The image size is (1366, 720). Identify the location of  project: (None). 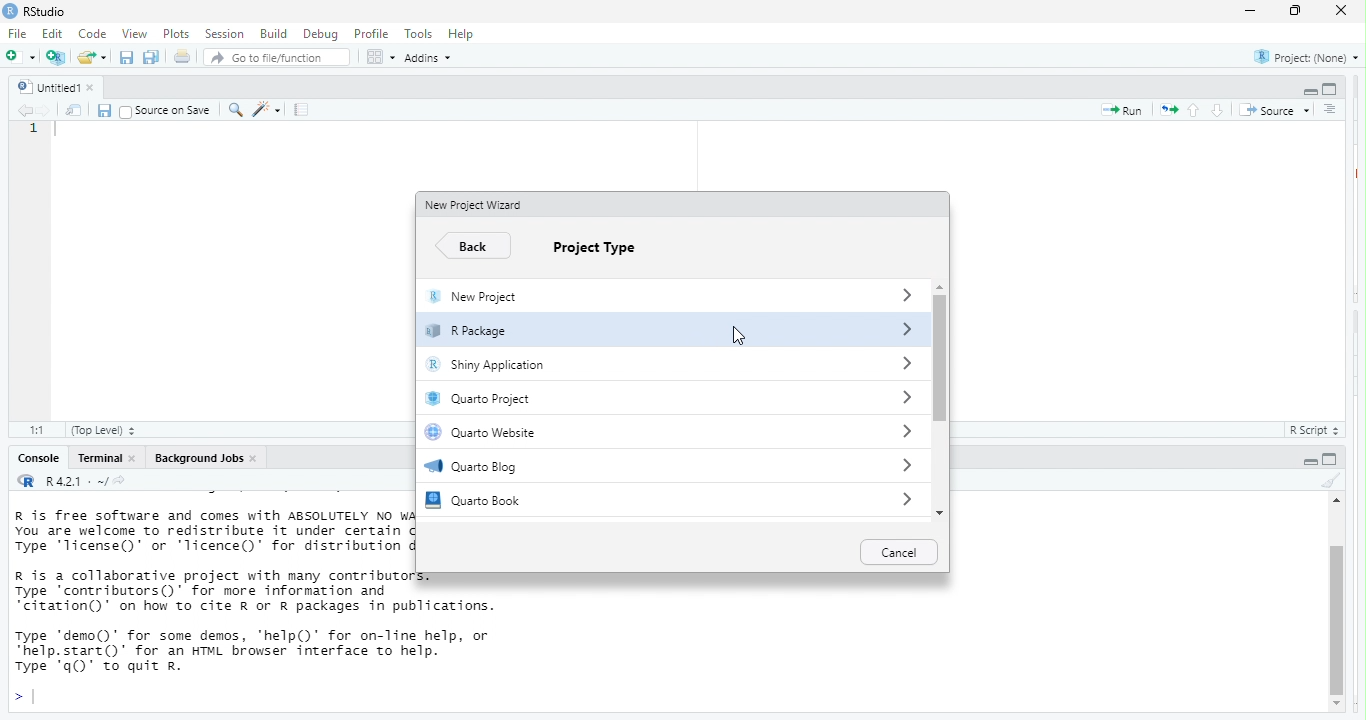
(1305, 59).